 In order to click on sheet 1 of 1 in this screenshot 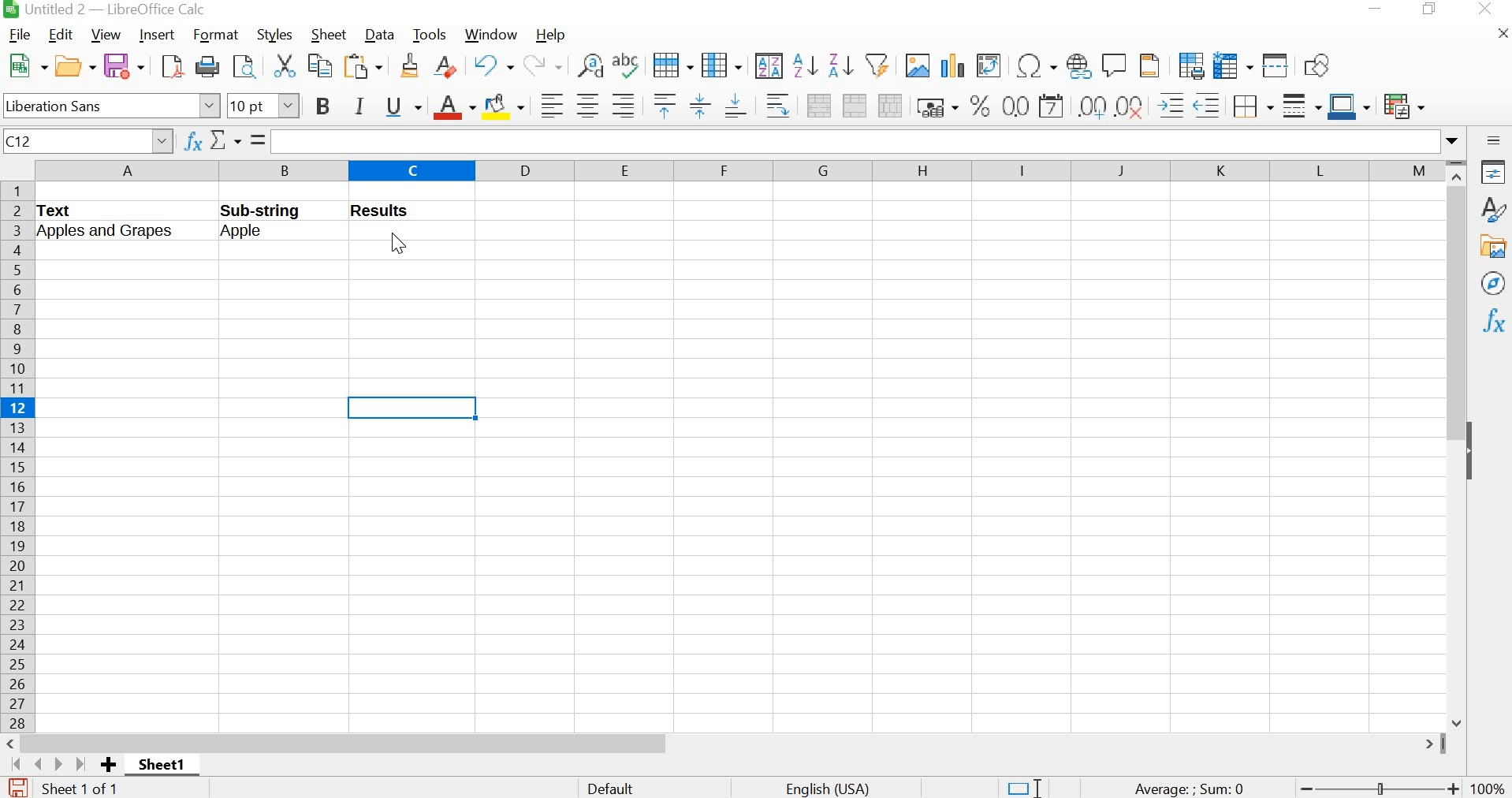, I will do `click(81, 789)`.